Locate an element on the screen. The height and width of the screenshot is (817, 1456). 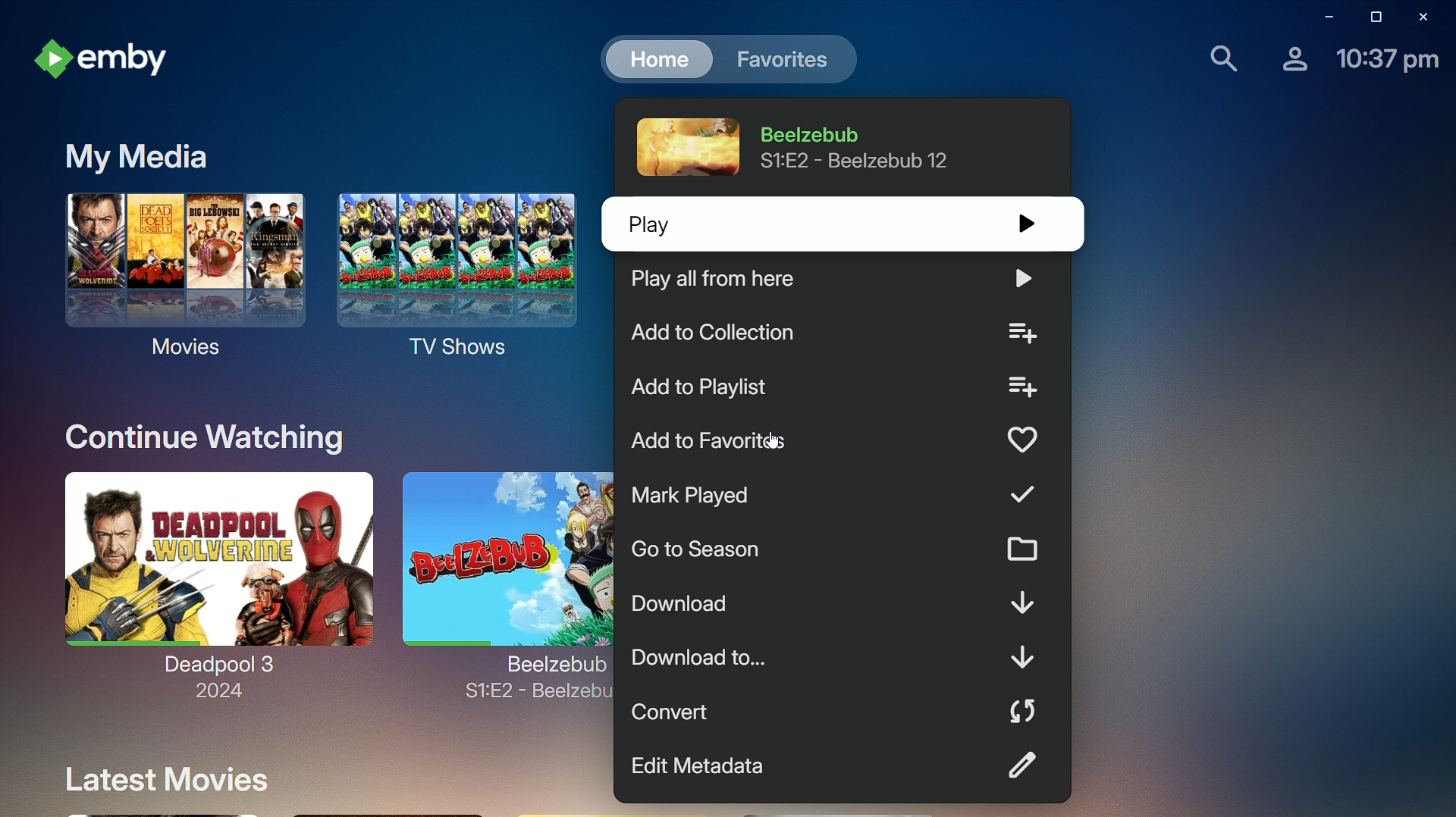
Restore is located at coordinates (1373, 17).